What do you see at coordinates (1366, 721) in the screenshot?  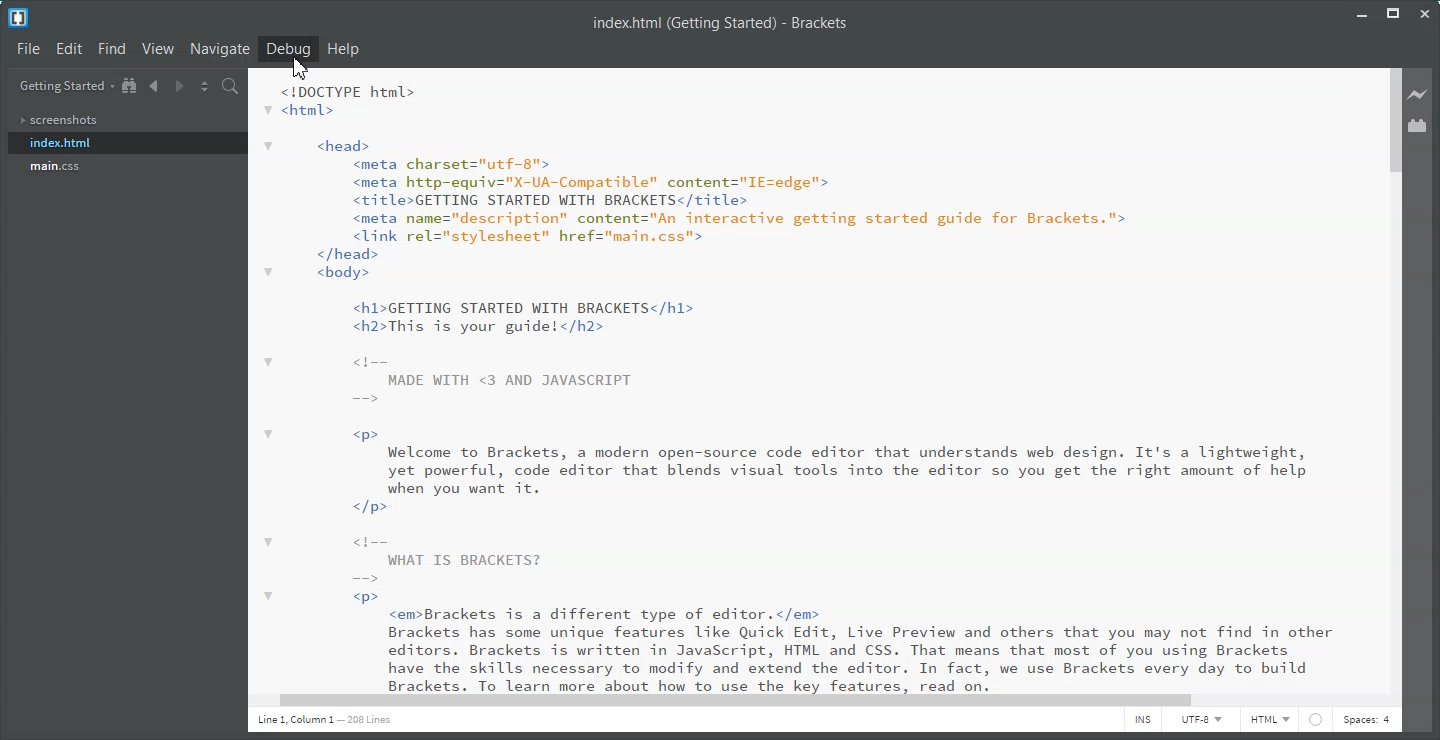 I see `Spaces: 4` at bounding box center [1366, 721].